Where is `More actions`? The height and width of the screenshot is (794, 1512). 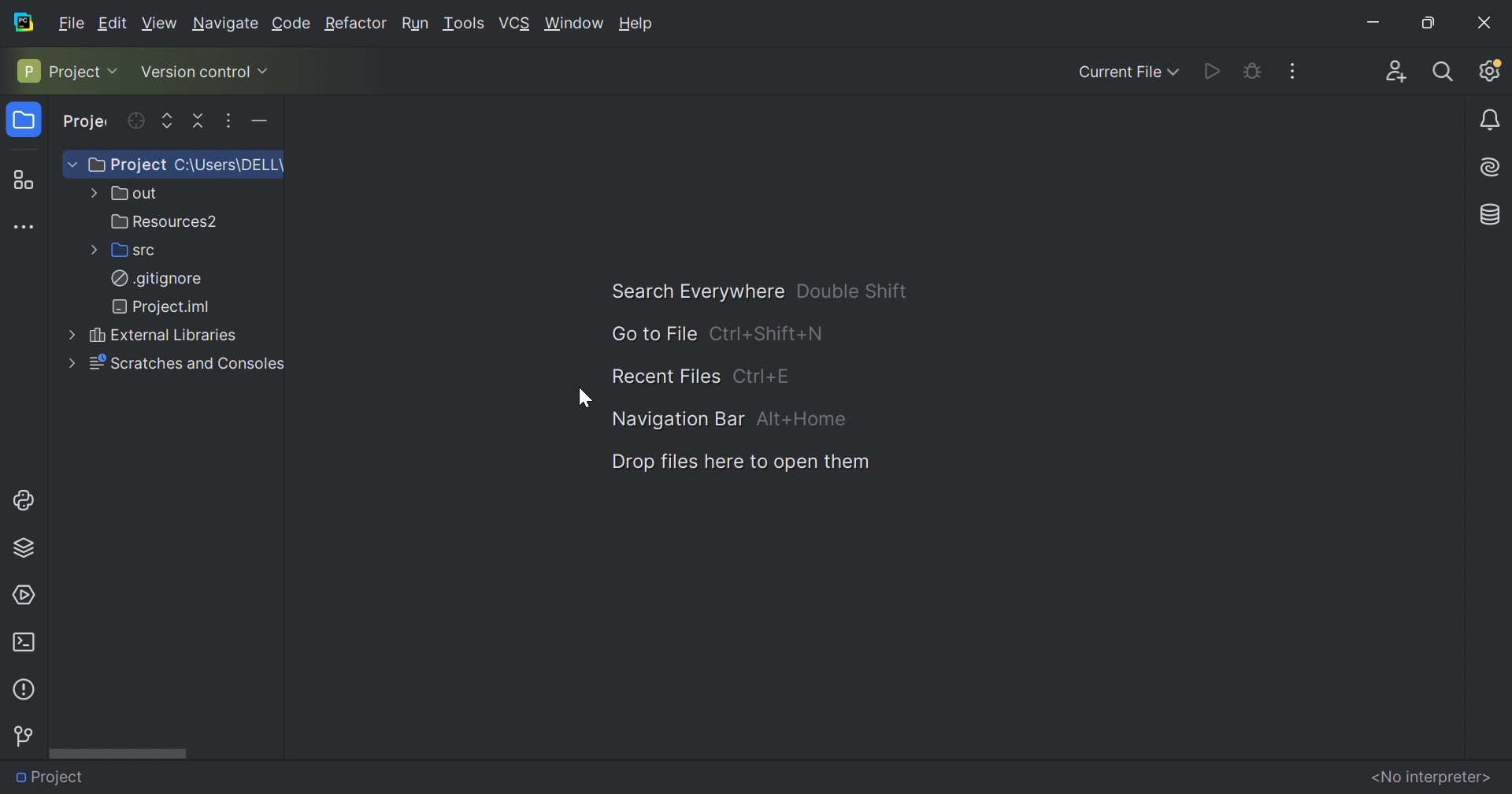
More actions is located at coordinates (1300, 70).